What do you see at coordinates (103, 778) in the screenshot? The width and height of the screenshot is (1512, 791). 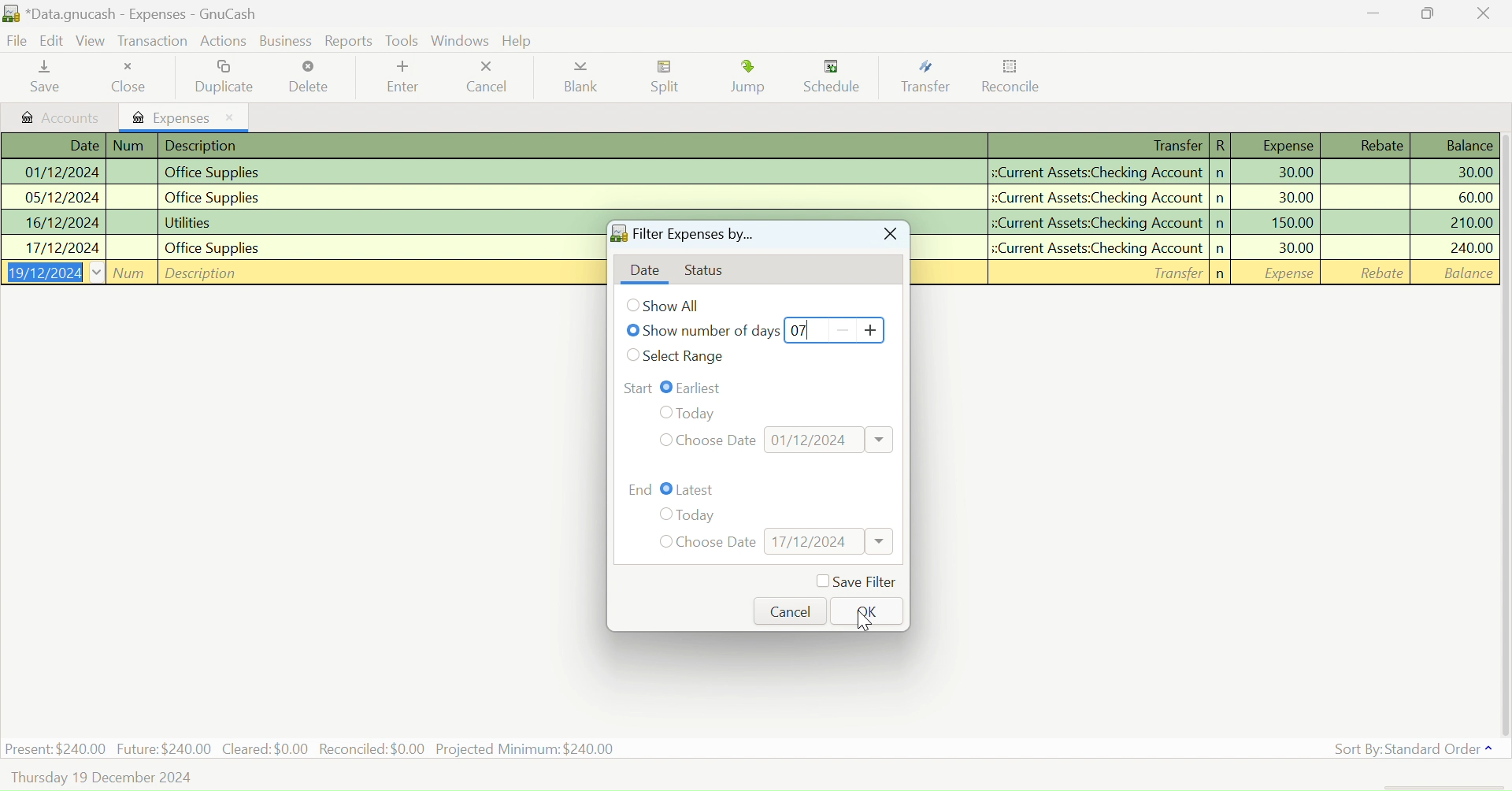 I see `Thursday, 19 December 2024` at bounding box center [103, 778].